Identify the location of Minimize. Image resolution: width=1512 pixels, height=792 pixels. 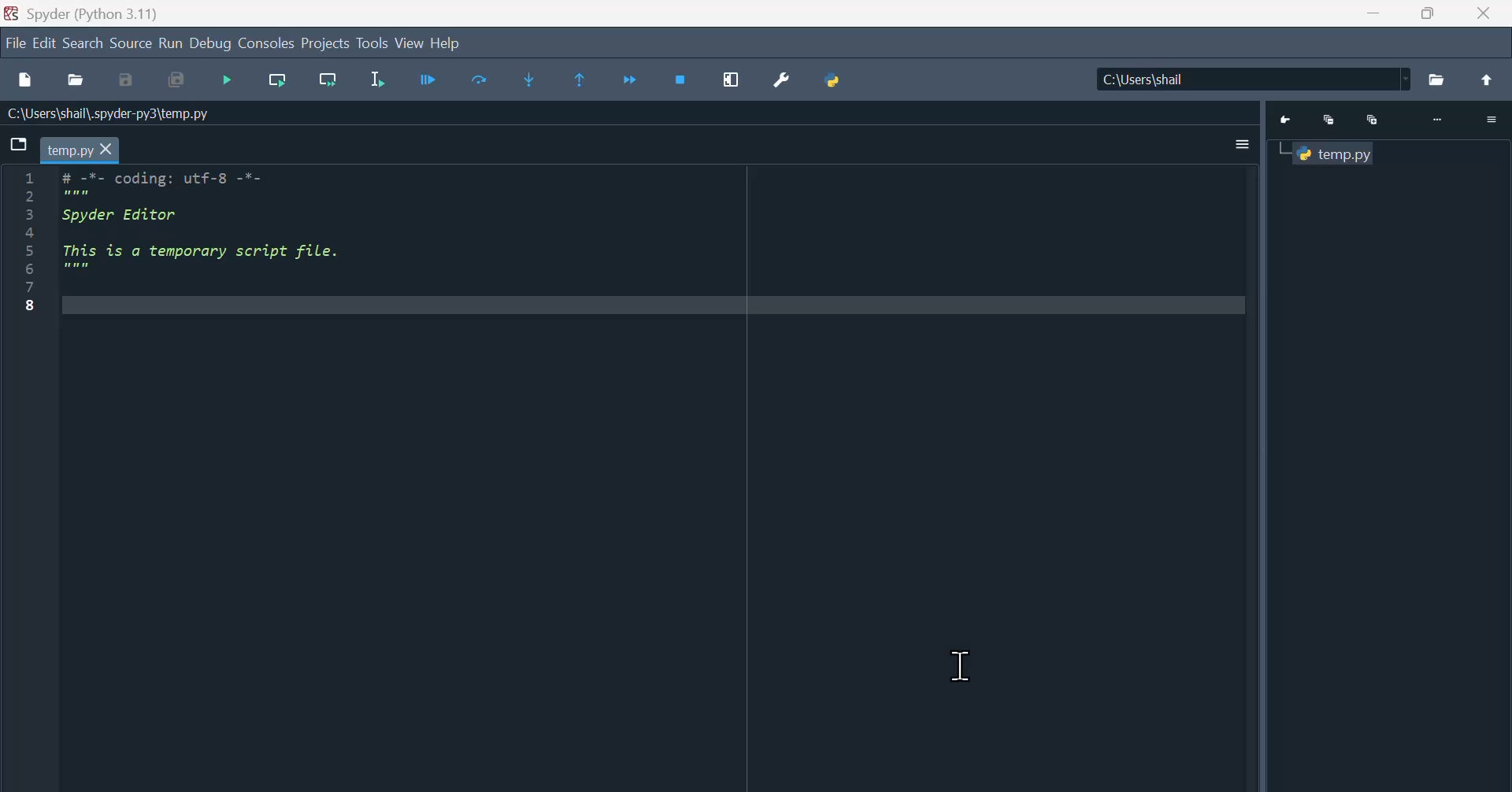
(1329, 122).